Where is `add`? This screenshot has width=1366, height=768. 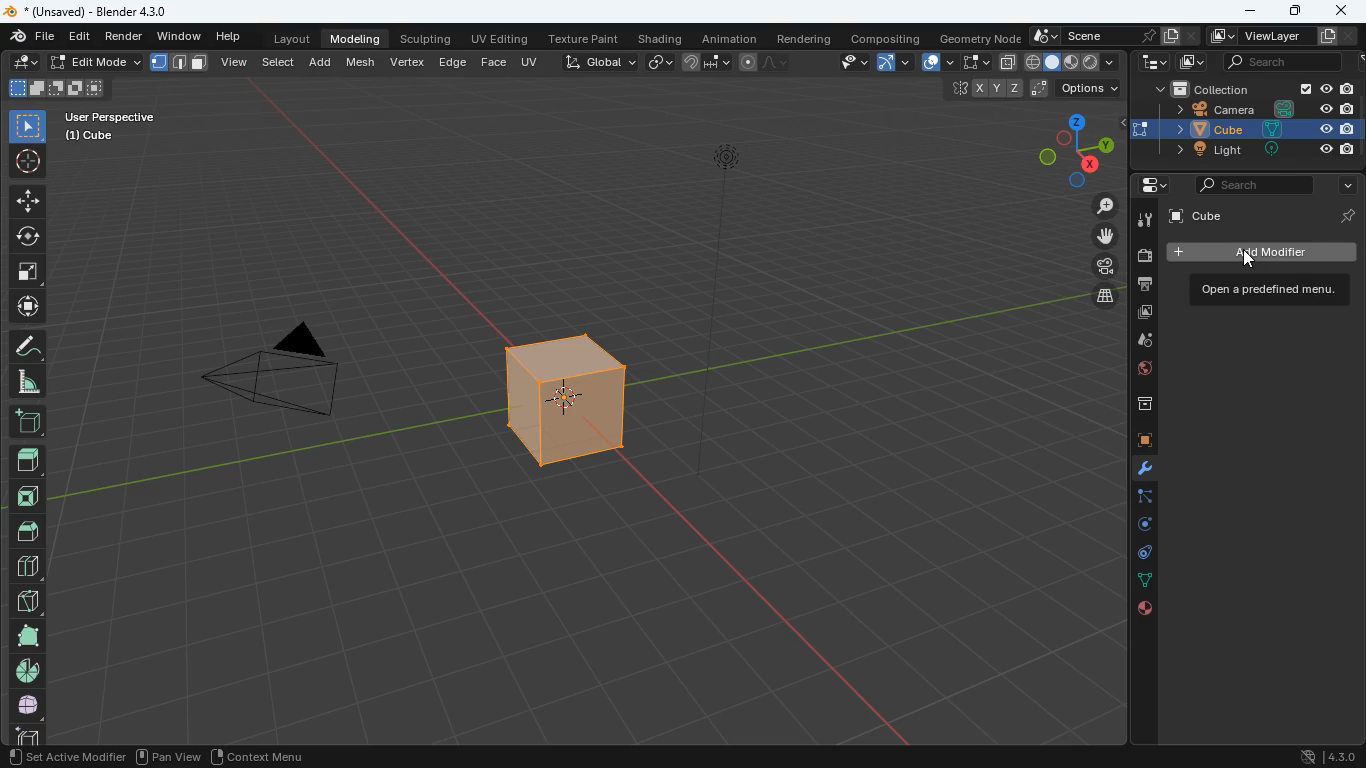
add is located at coordinates (31, 424).